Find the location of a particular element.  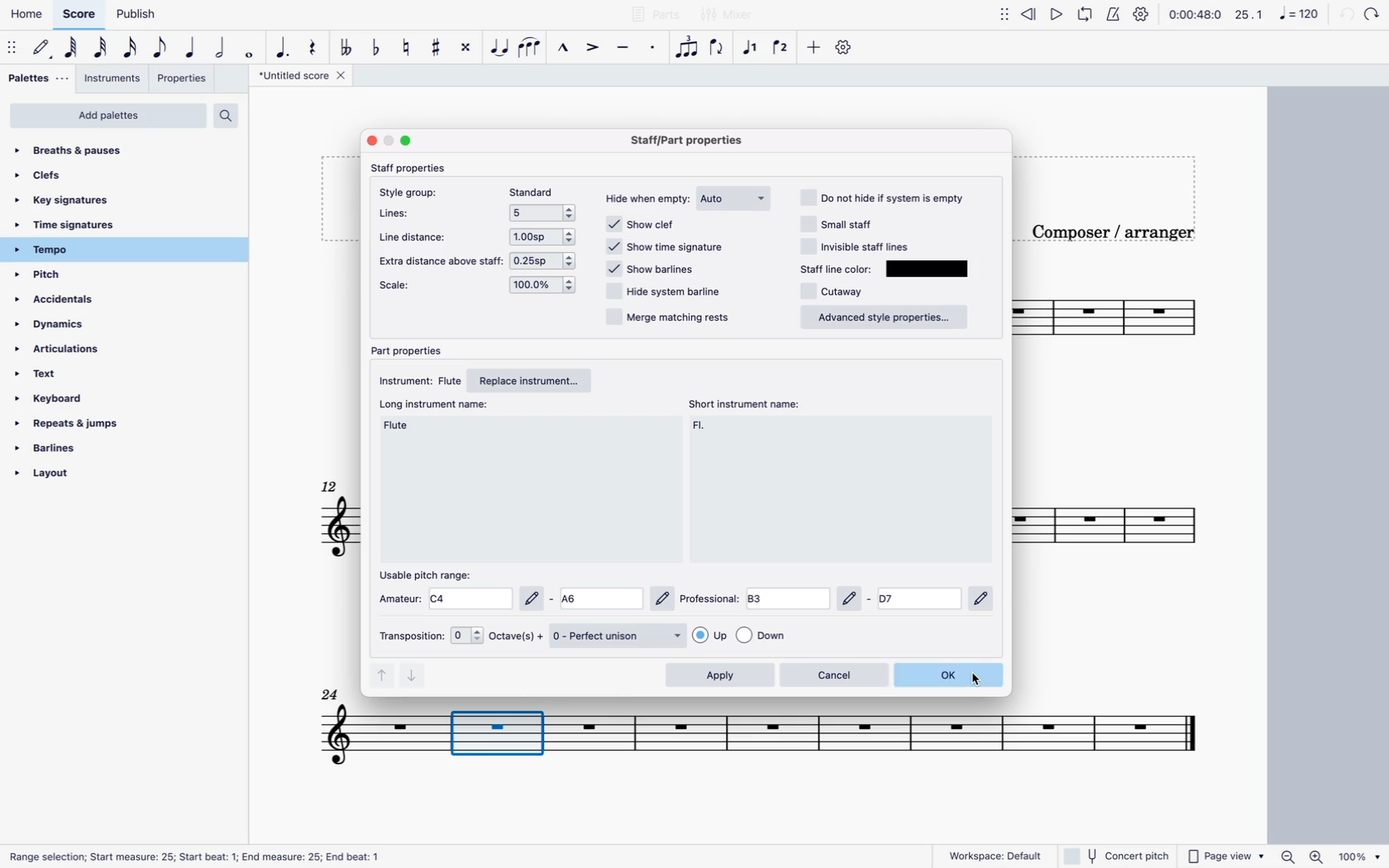

articulations is located at coordinates (69, 347).